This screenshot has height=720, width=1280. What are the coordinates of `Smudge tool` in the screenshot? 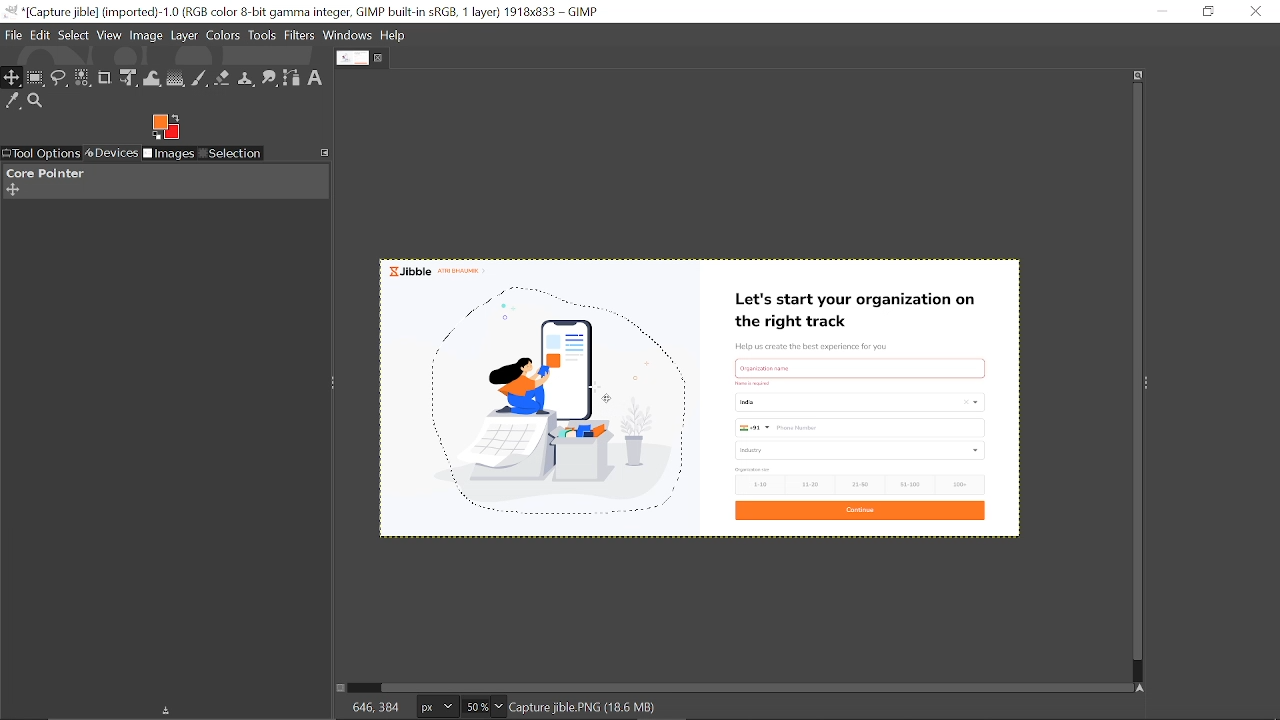 It's located at (271, 79).